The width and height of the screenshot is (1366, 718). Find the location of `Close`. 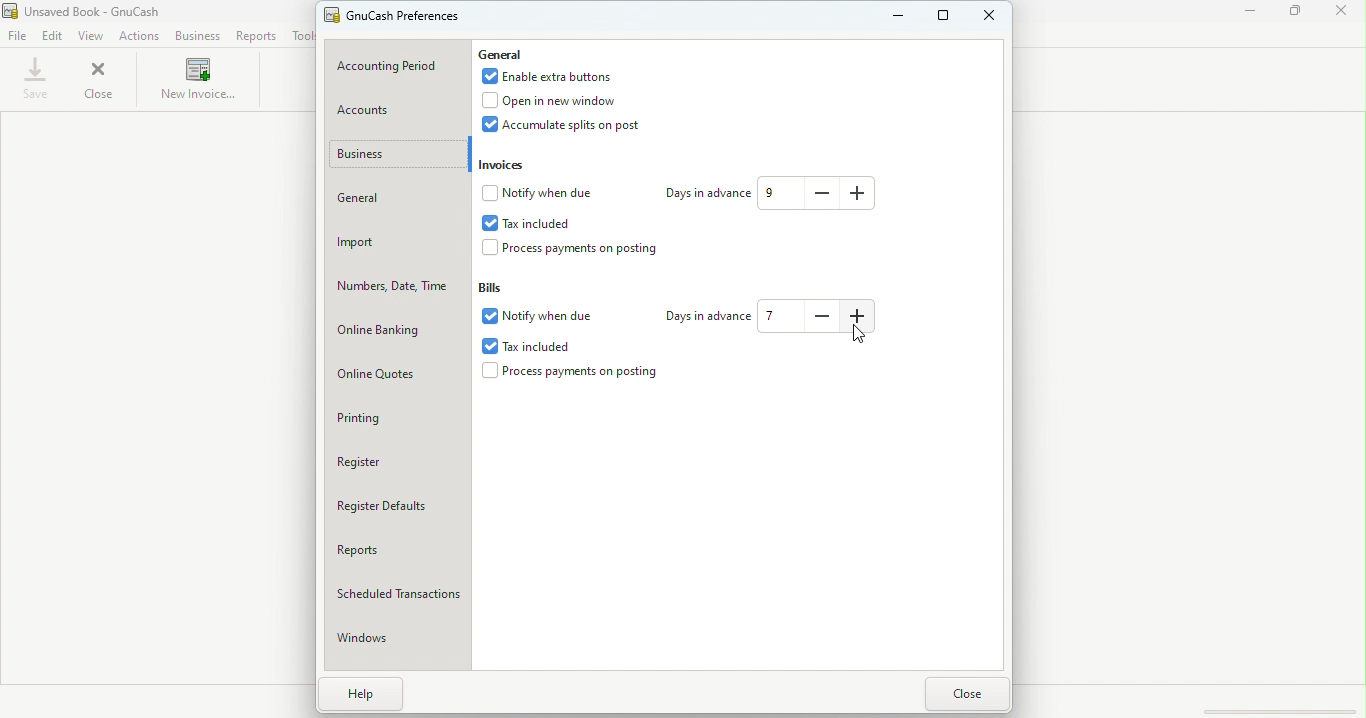

Close is located at coordinates (101, 81).